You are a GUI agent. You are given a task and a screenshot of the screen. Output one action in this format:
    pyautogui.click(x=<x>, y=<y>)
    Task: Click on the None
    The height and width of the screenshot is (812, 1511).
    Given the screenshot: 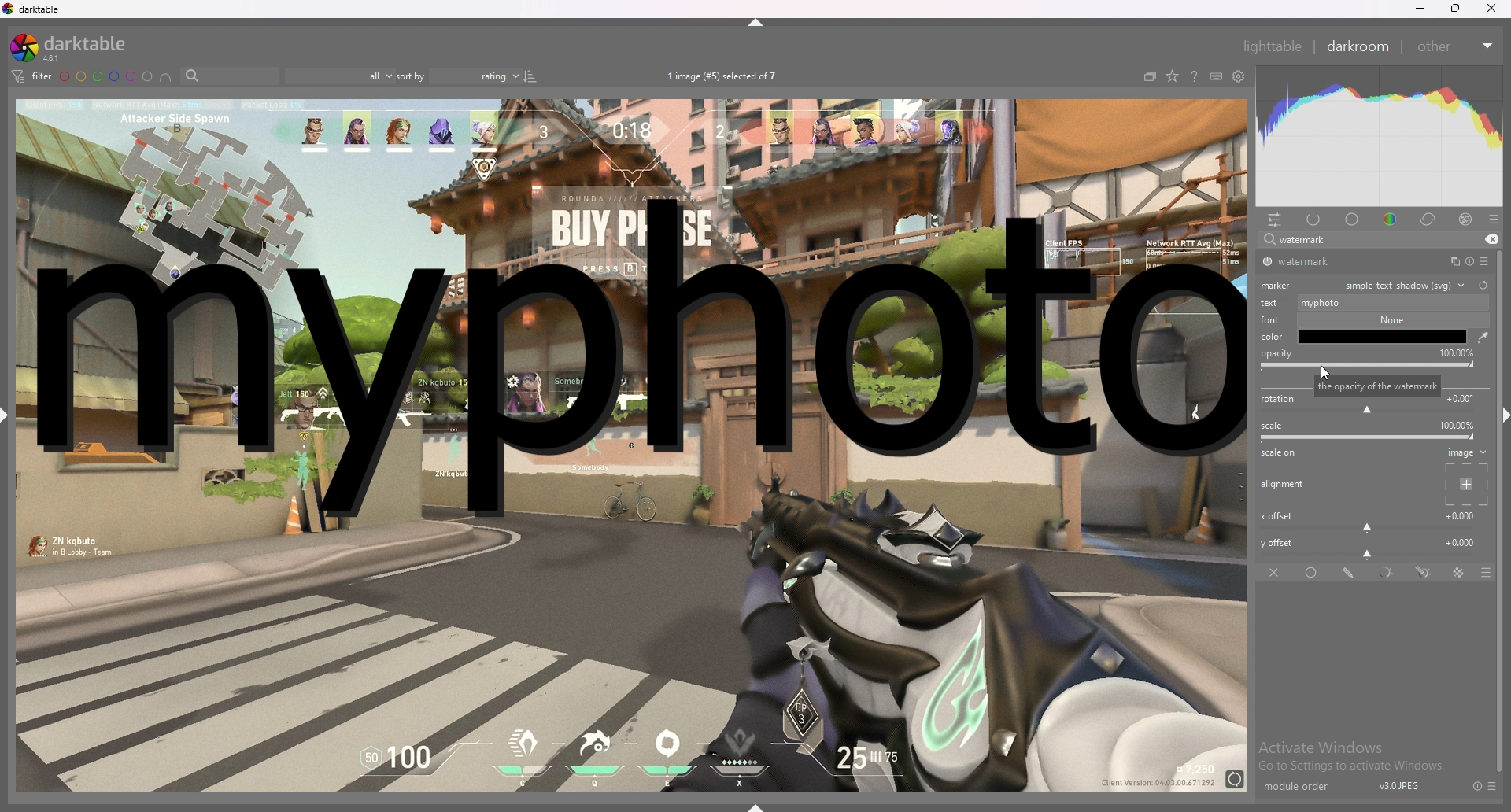 What is the action you would take?
    pyautogui.click(x=1387, y=319)
    